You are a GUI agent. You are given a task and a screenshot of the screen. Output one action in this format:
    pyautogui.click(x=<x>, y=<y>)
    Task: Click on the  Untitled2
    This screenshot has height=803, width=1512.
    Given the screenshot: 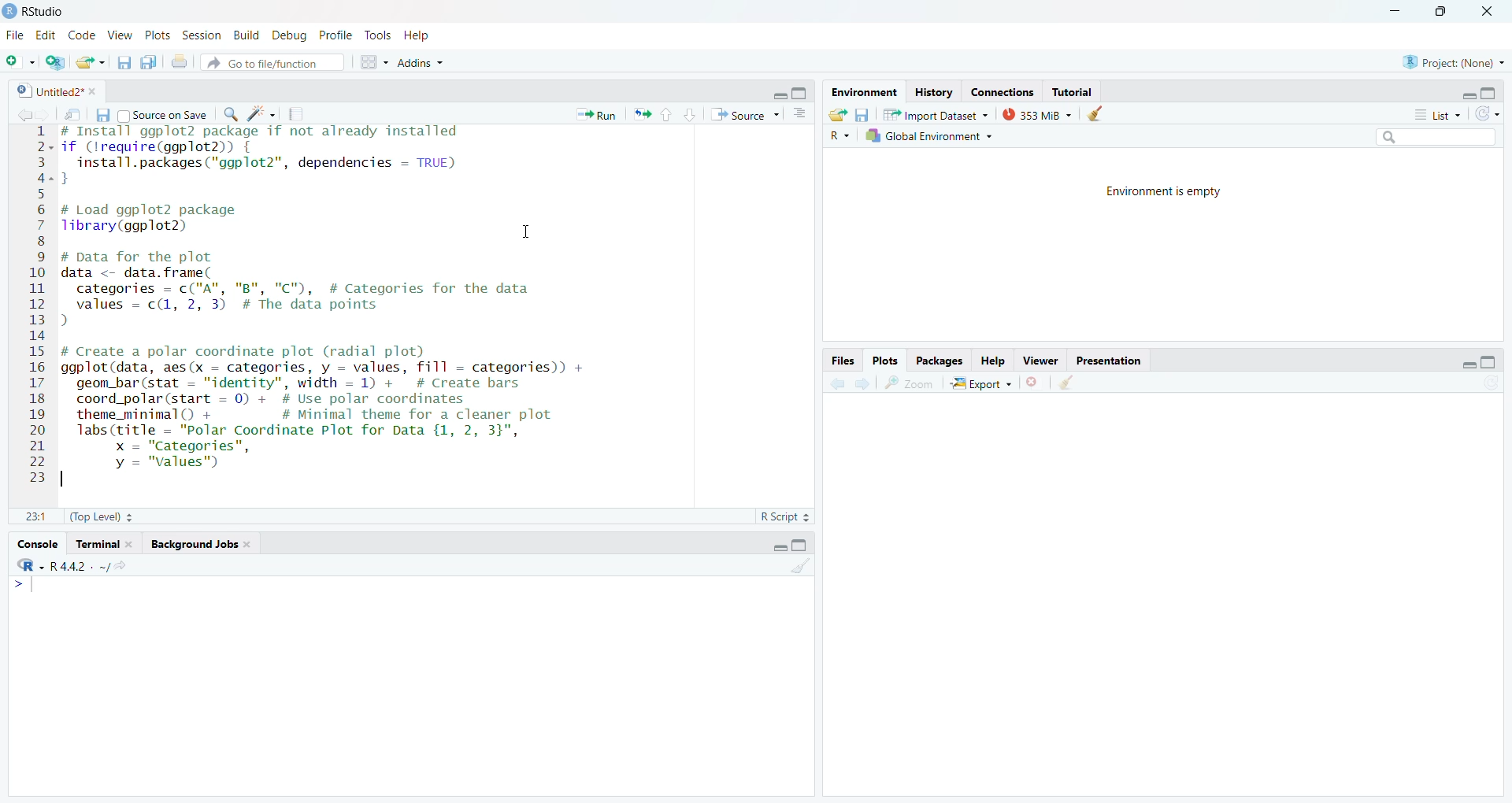 What is the action you would take?
    pyautogui.click(x=53, y=91)
    